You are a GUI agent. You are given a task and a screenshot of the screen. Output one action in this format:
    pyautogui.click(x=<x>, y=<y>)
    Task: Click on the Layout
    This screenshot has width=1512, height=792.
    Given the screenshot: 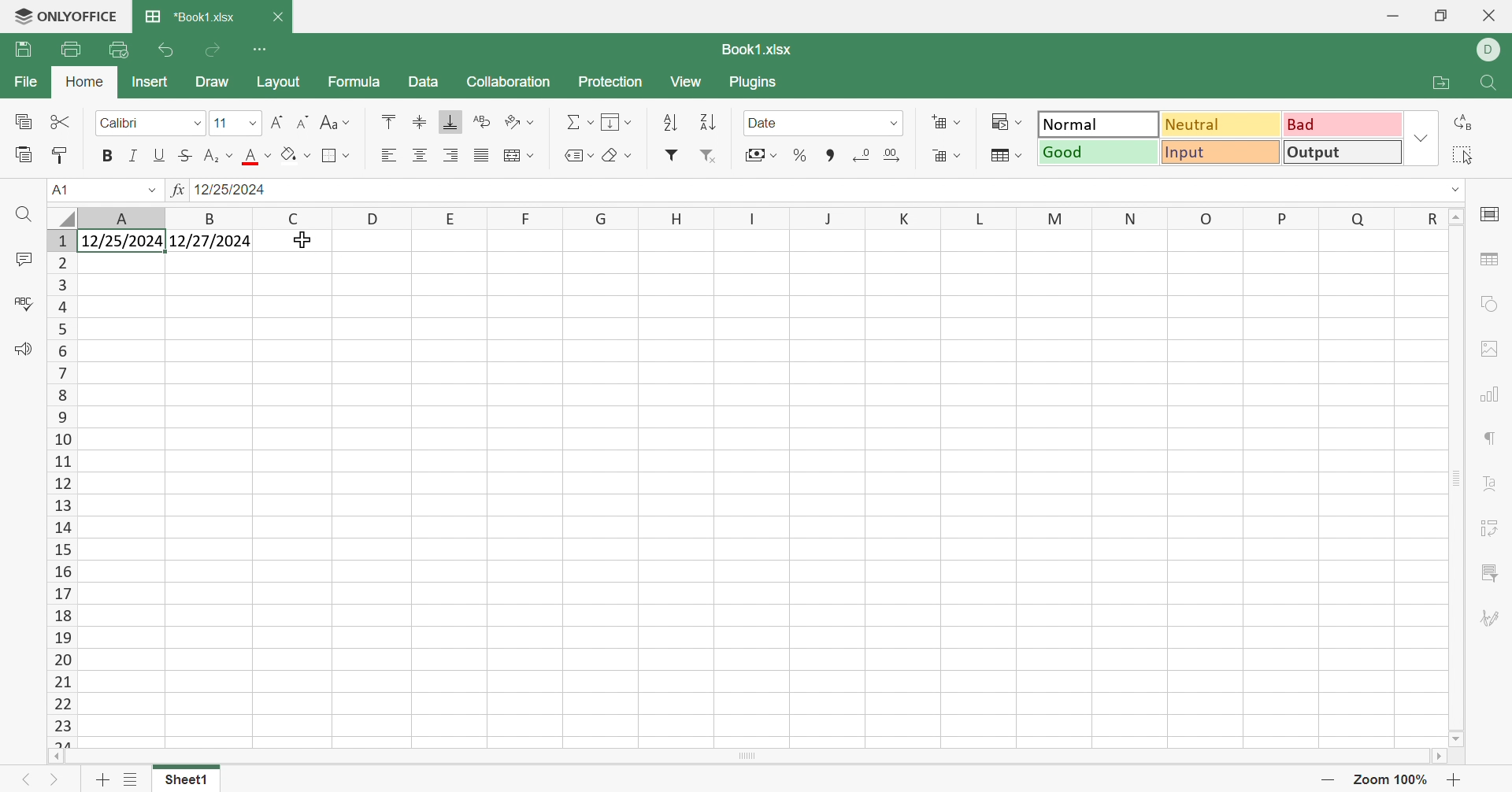 What is the action you would take?
    pyautogui.click(x=280, y=84)
    